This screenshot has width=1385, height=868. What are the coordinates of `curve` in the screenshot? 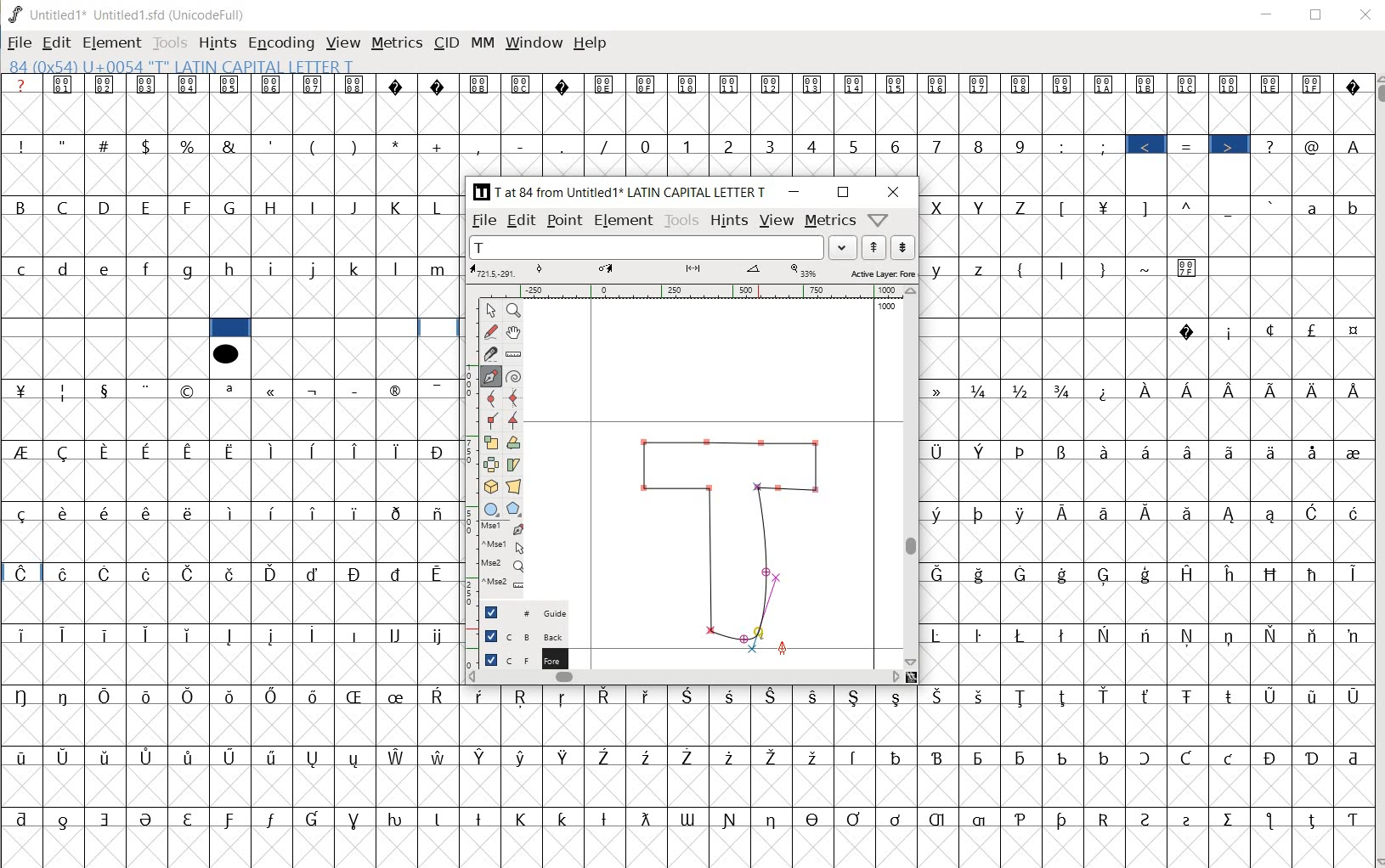 It's located at (490, 399).